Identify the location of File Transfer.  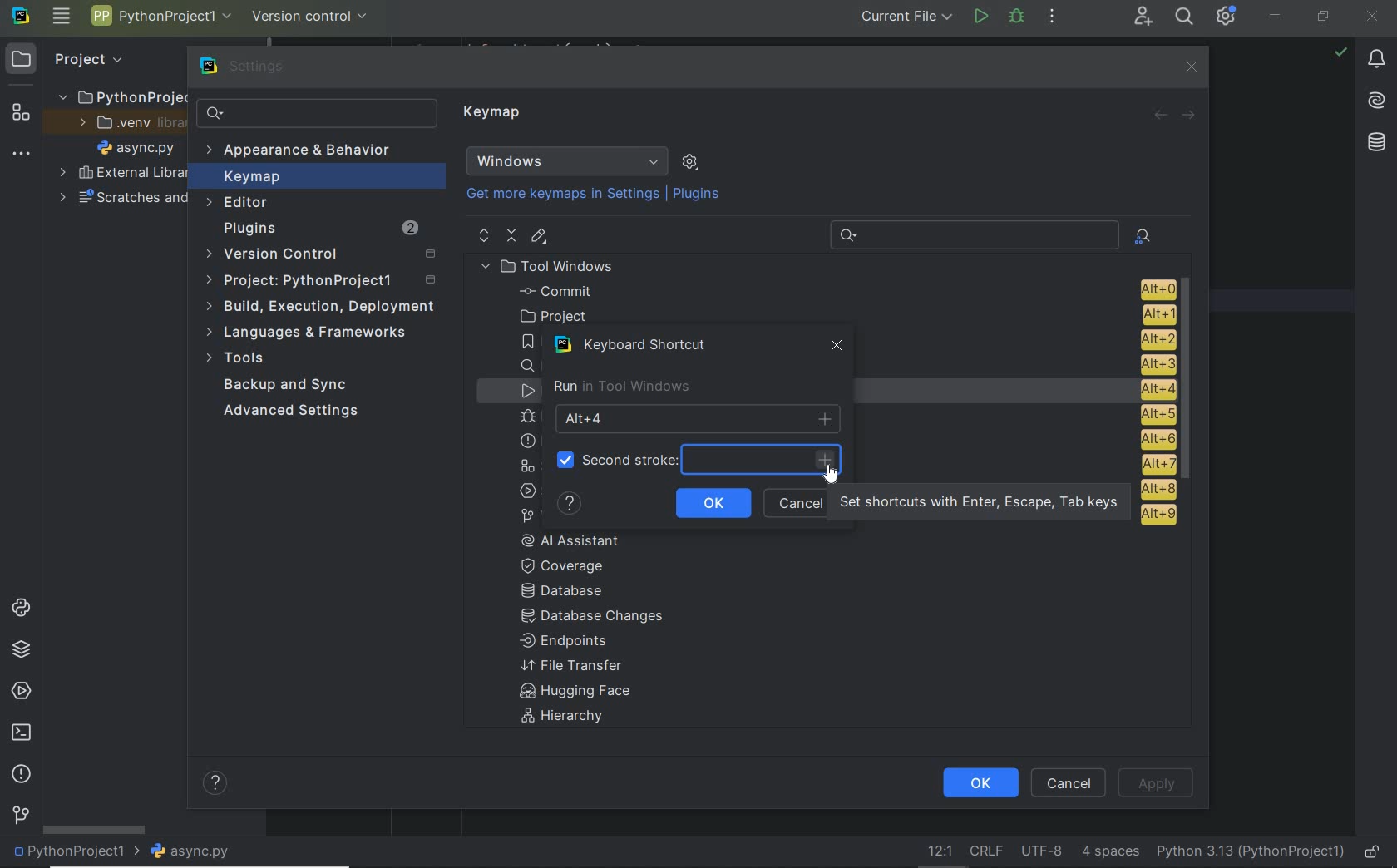
(572, 666).